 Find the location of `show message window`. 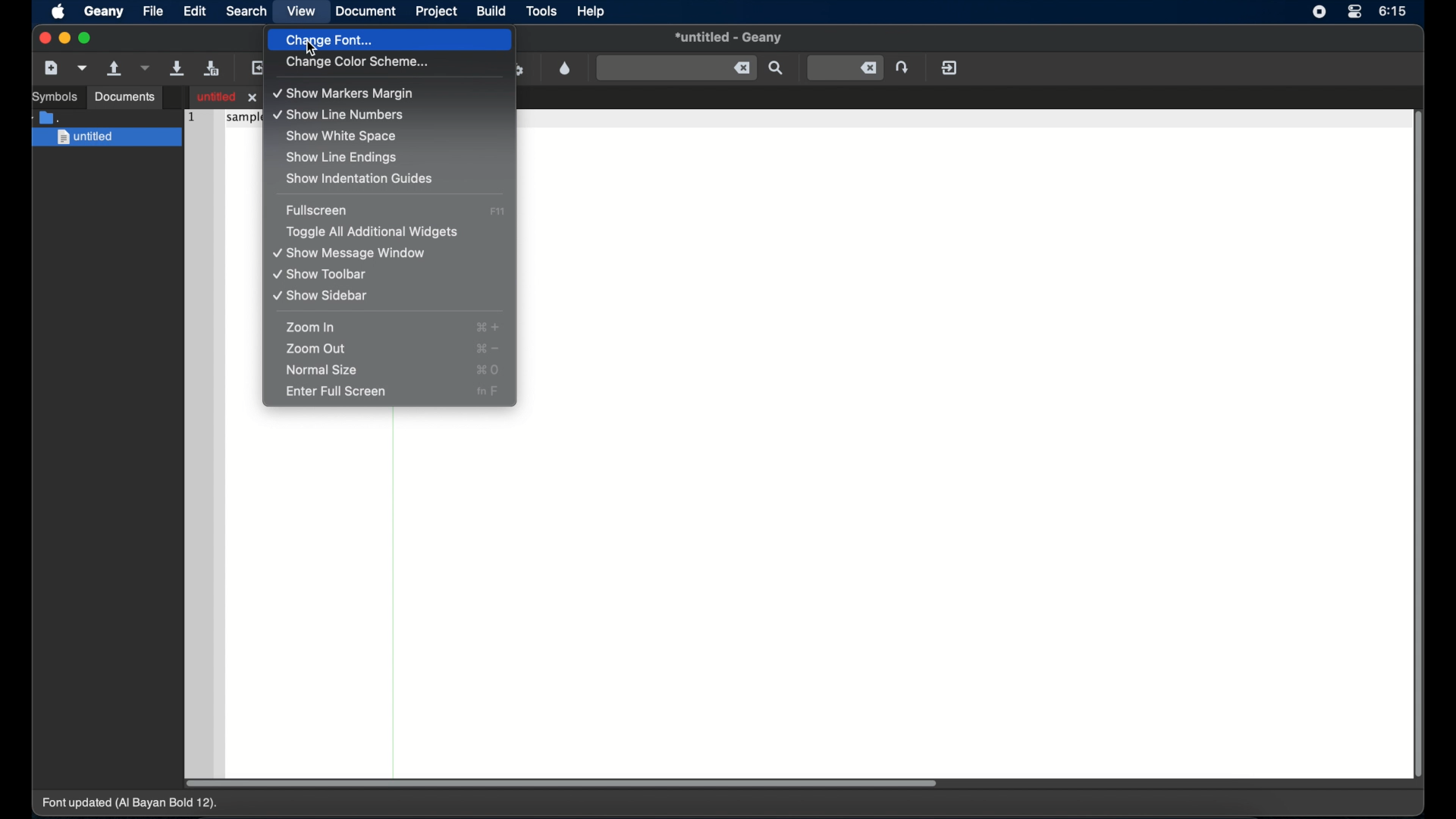

show message window is located at coordinates (350, 253).